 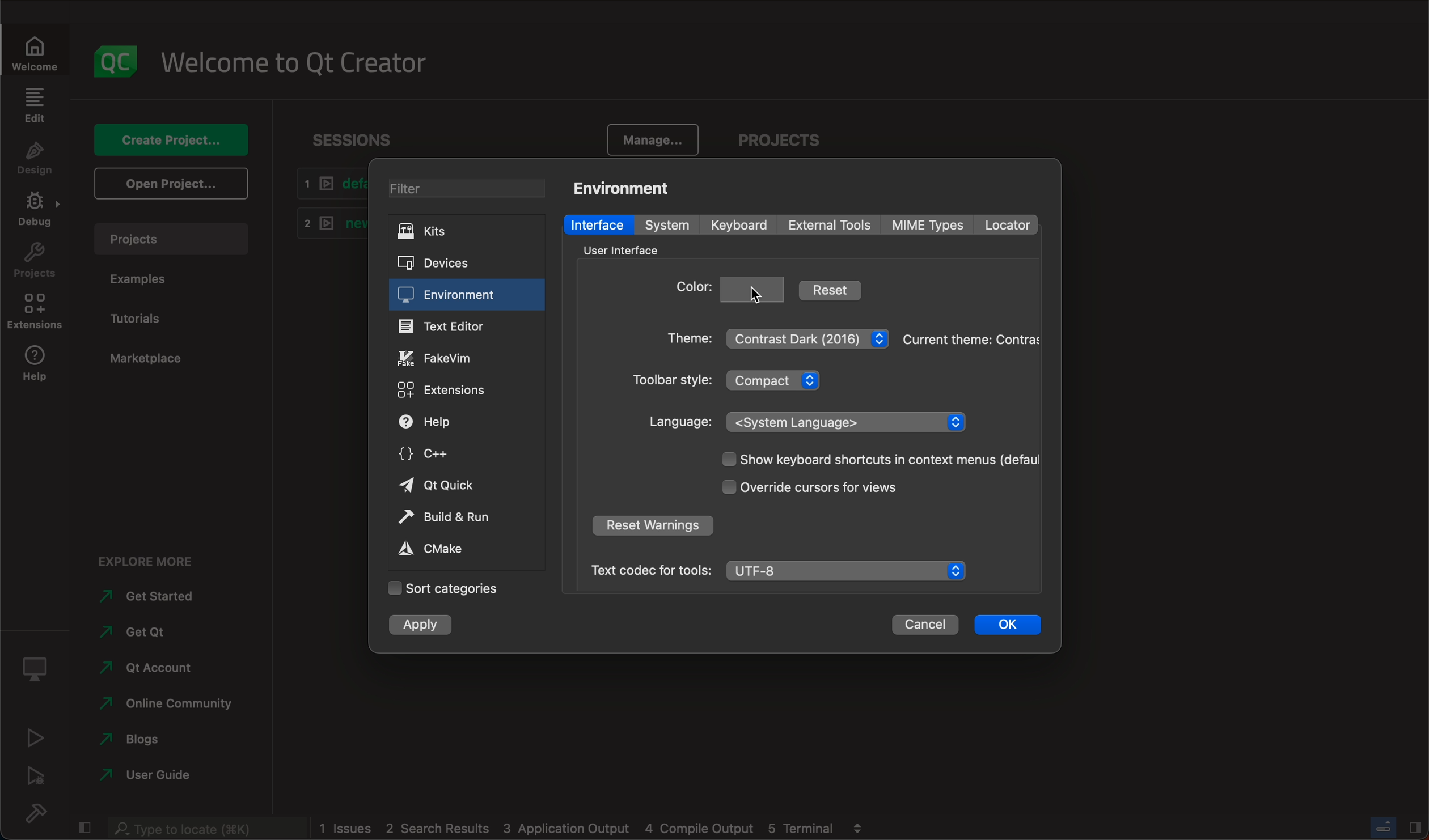 I want to click on debug, so click(x=39, y=665).